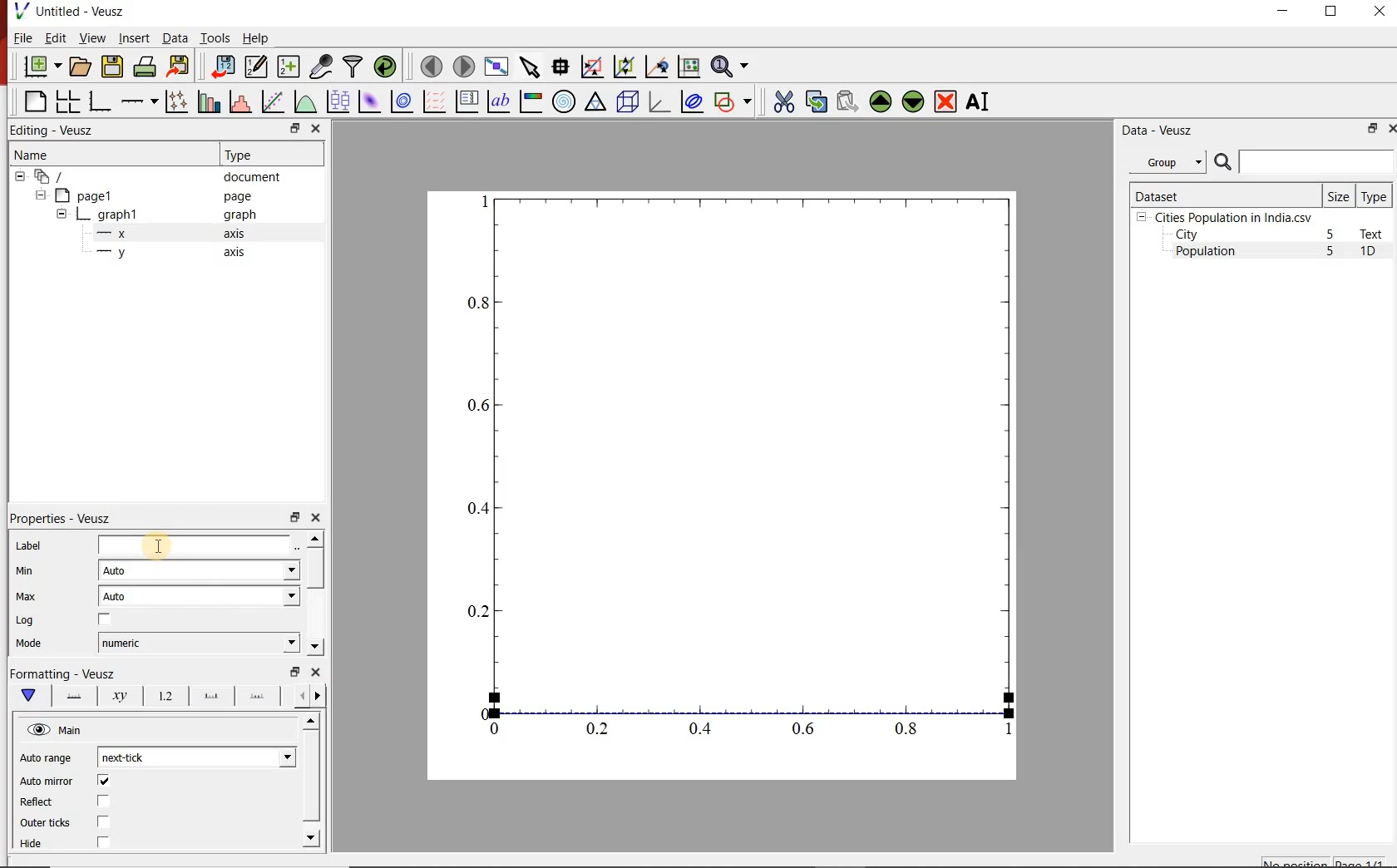  What do you see at coordinates (179, 67) in the screenshot?
I see `export to graphics format` at bounding box center [179, 67].